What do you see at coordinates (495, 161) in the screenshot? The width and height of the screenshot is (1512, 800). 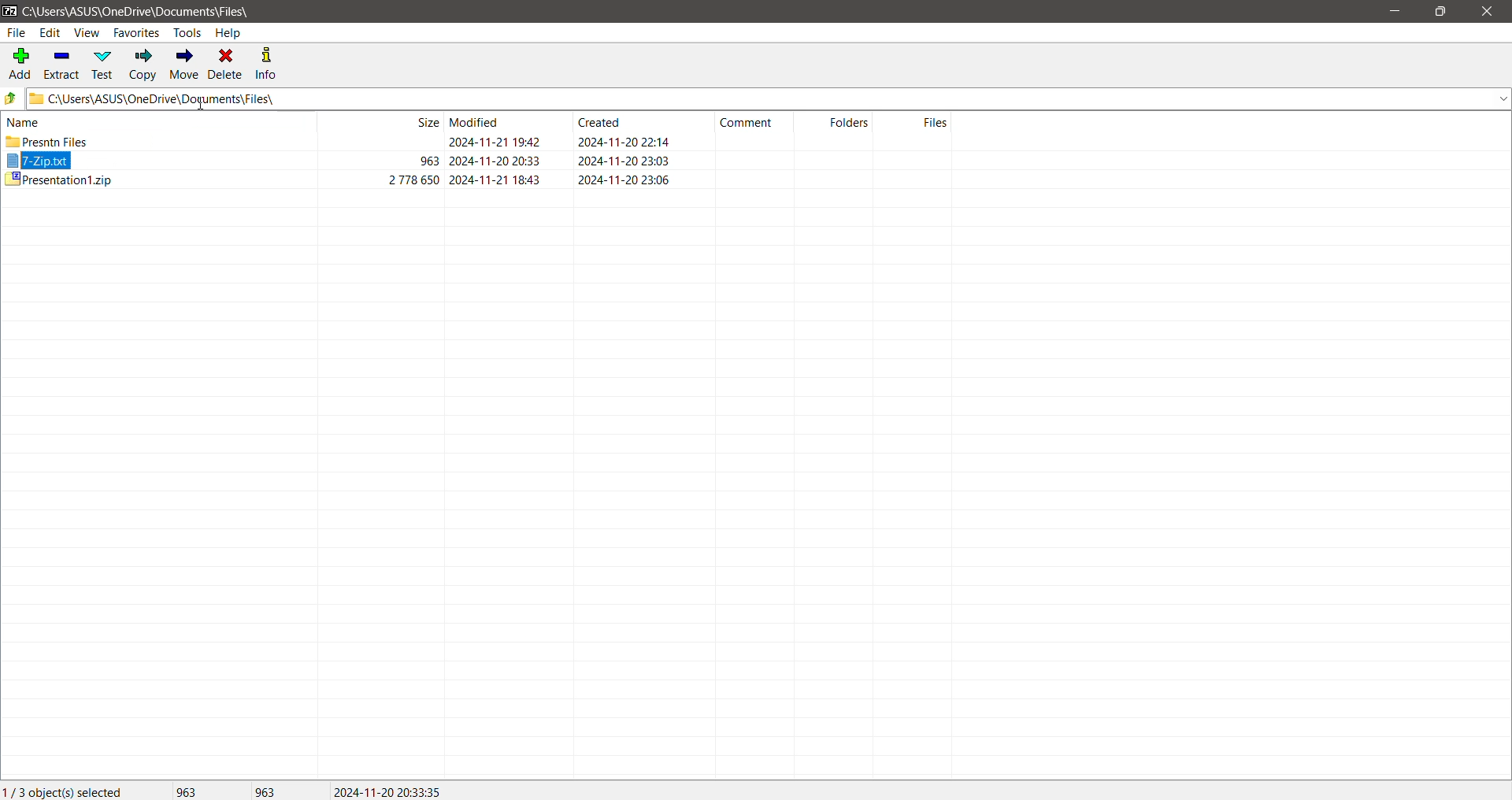 I see `modified date & time` at bounding box center [495, 161].